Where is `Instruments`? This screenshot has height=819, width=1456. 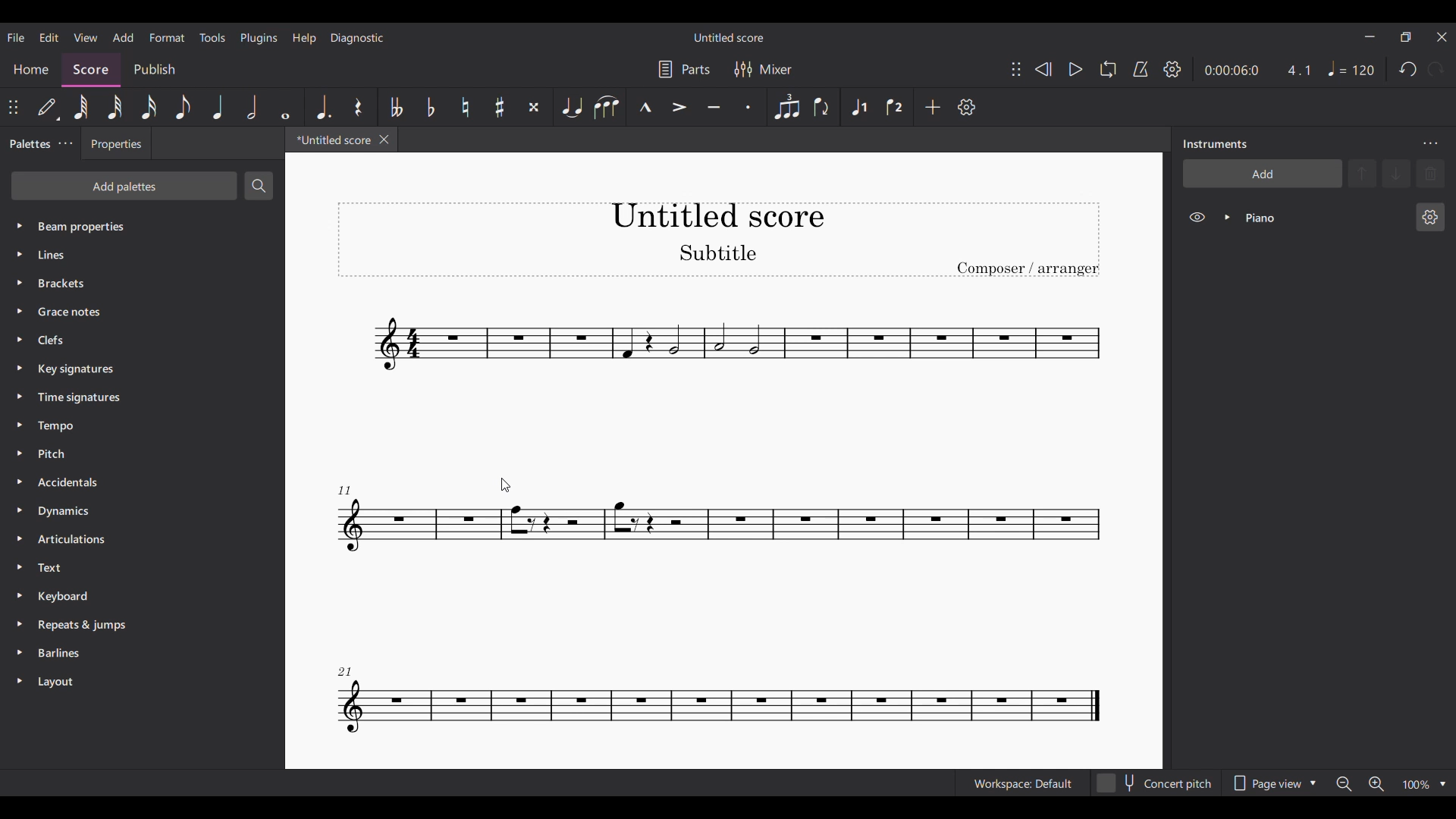 Instruments is located at coordinates (1215, 144).